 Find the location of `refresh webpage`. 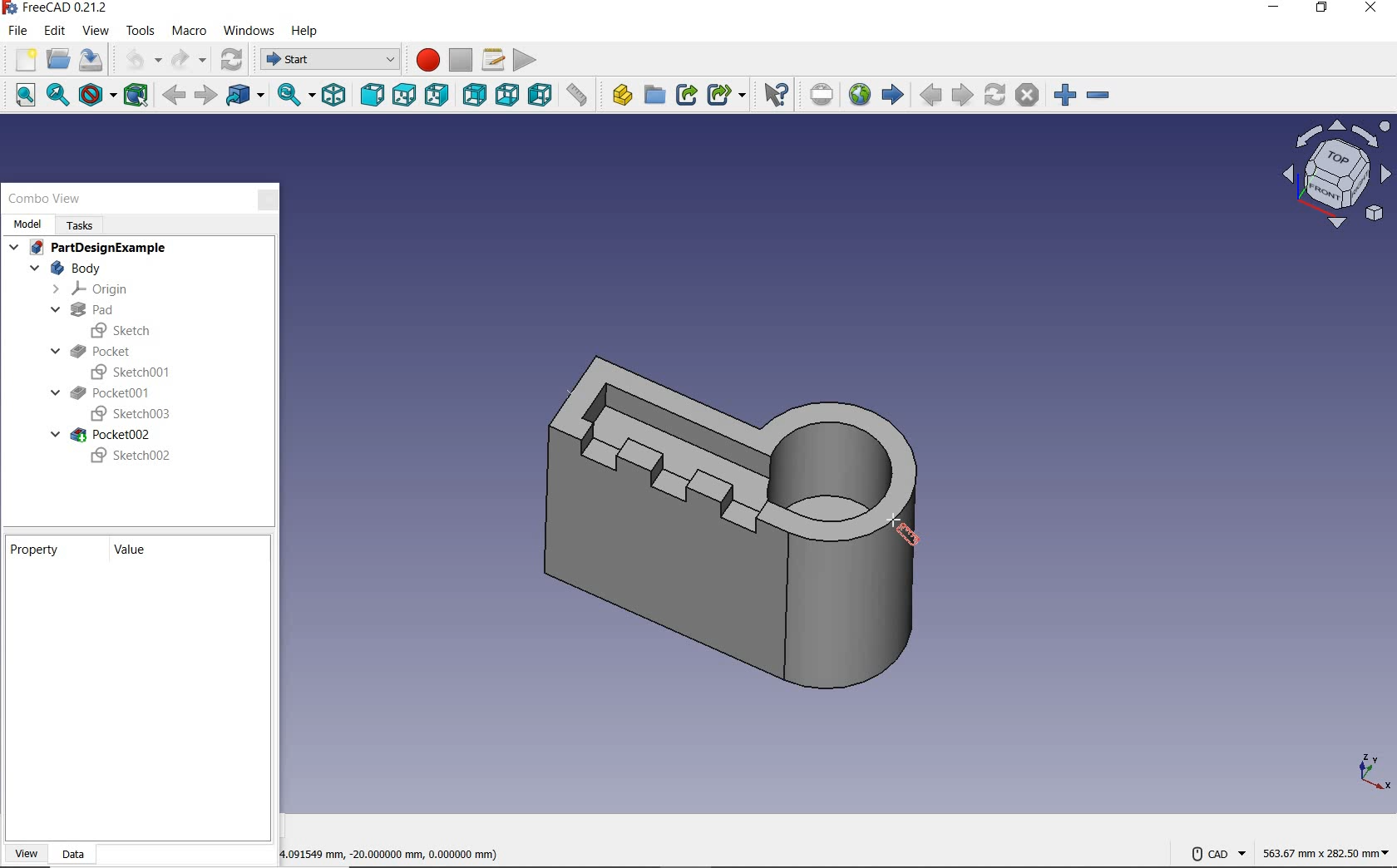

refresh webpage is located at coordinates (994, 94).